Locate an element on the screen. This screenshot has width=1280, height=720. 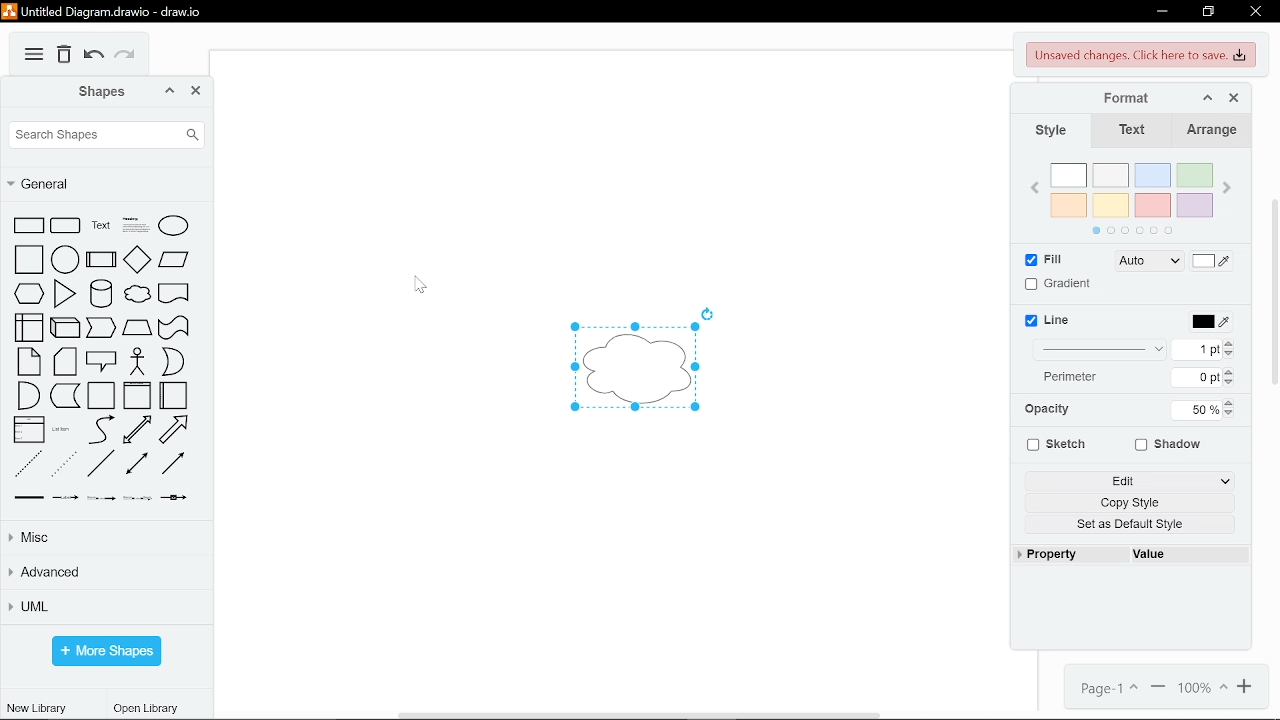
current perimeter is located at coordinates (1191, 377).